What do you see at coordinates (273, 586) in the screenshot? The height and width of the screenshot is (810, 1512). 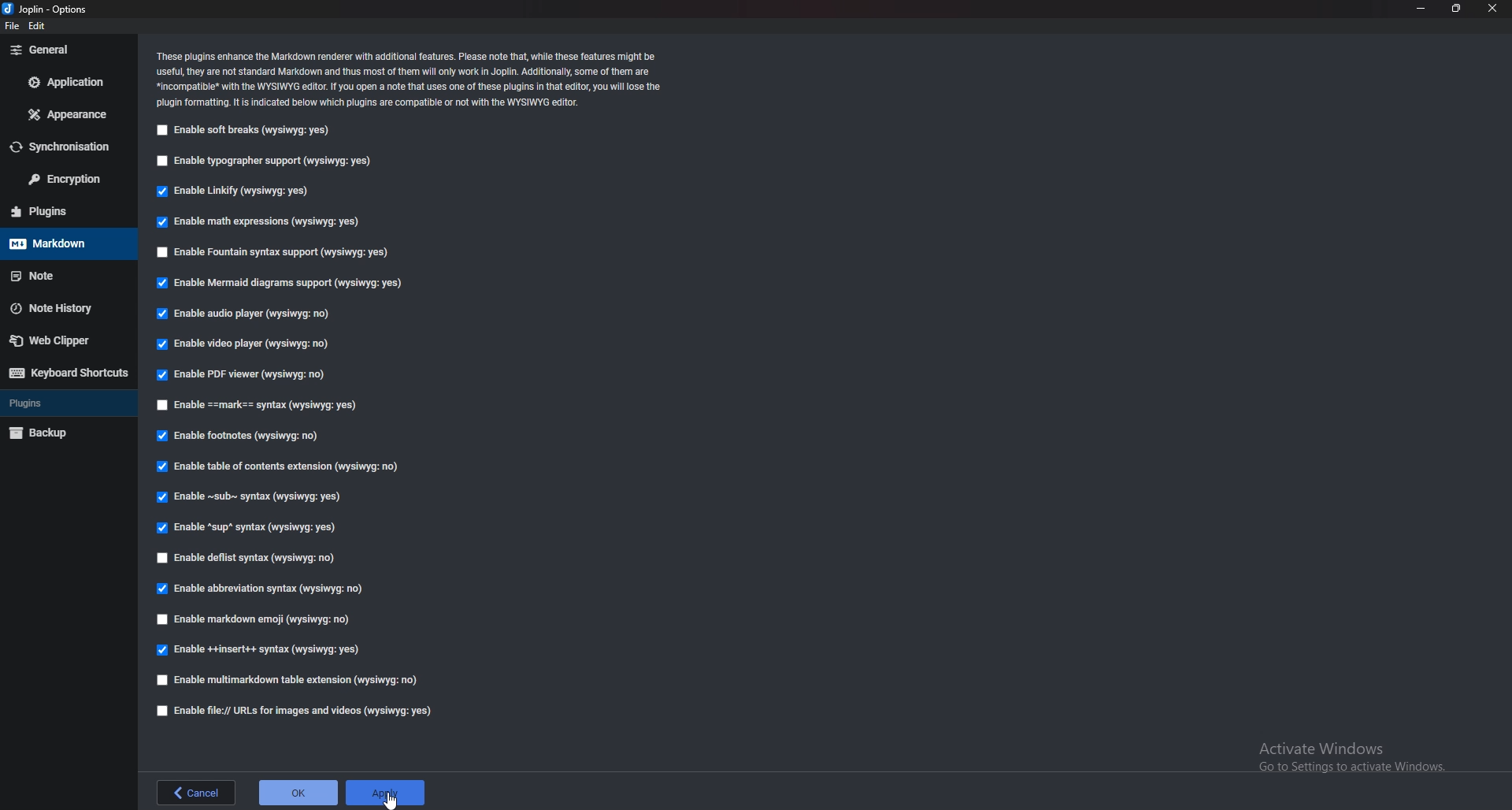 I see `Edible abbreviation syntax` at bounding box center [273, 586].